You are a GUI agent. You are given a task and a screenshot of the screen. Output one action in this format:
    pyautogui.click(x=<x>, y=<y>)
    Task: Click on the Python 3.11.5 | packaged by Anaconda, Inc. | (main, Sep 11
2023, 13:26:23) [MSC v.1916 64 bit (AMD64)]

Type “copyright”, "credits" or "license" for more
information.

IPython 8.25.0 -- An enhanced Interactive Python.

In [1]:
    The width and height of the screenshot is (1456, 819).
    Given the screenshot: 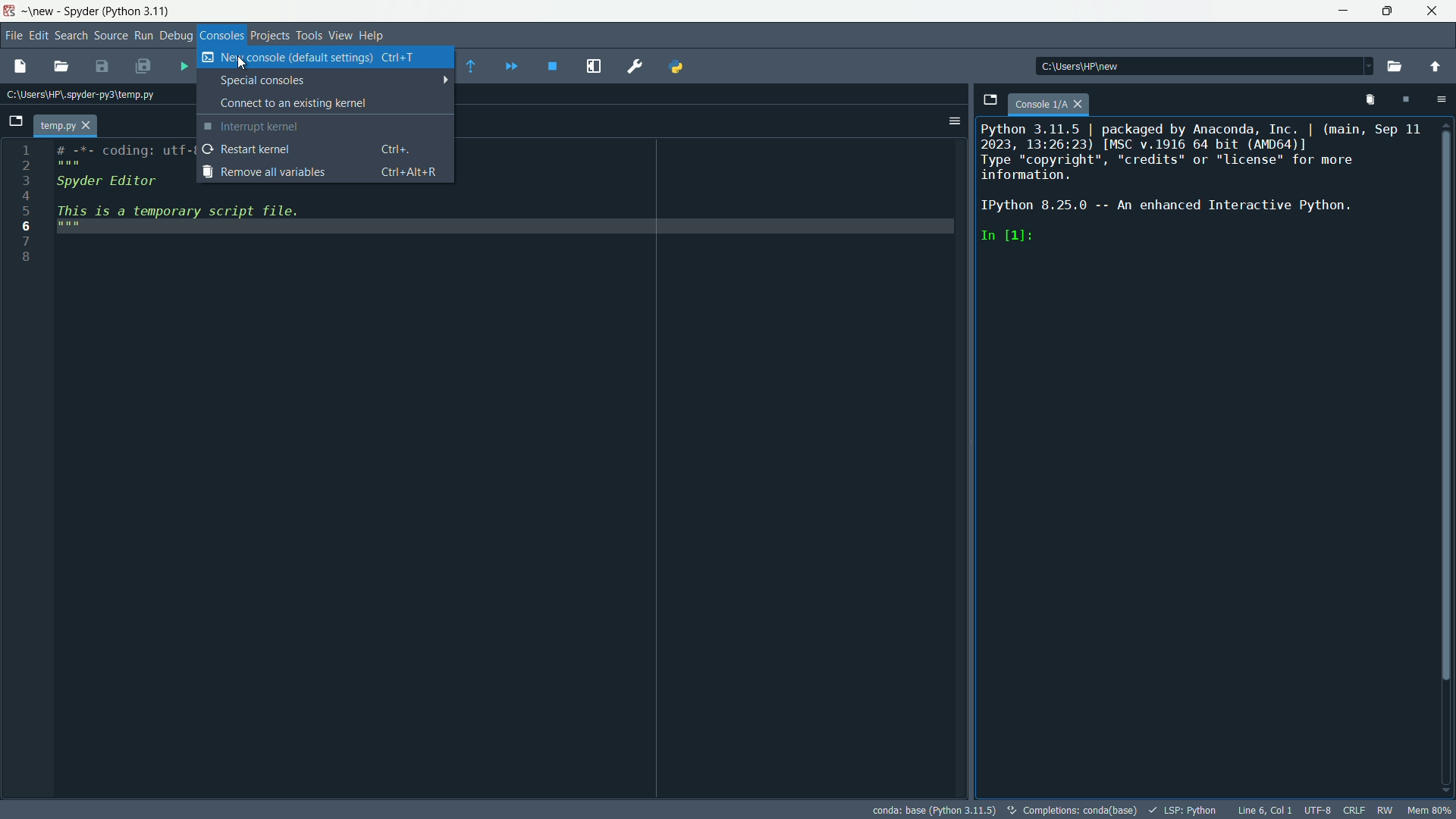 What is the action you would take?
    pyautogui.click(x=1200, y=190)
    